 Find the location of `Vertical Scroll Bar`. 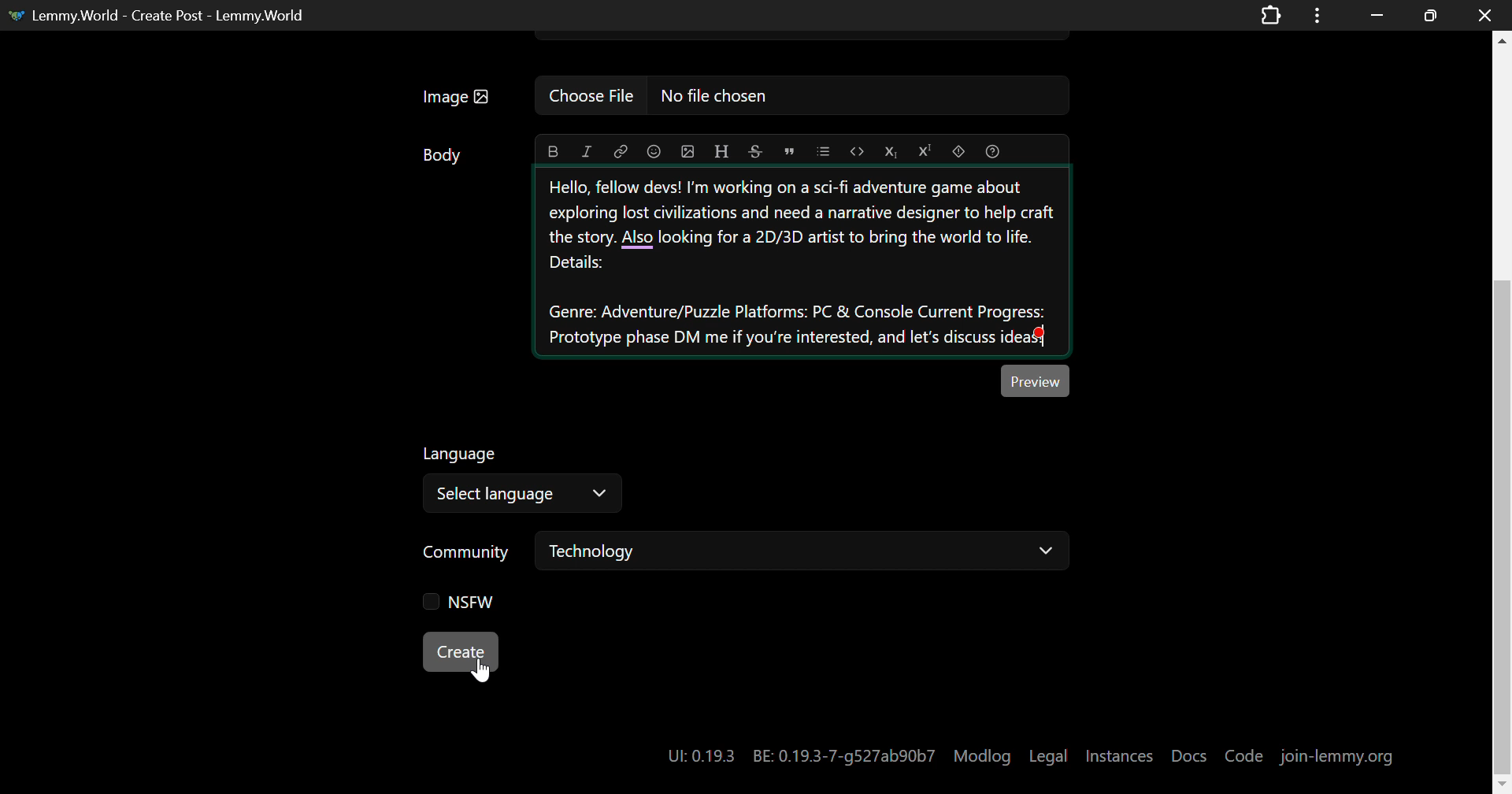

Vertical Scroll Bar is located at coordinates (1503, 412).